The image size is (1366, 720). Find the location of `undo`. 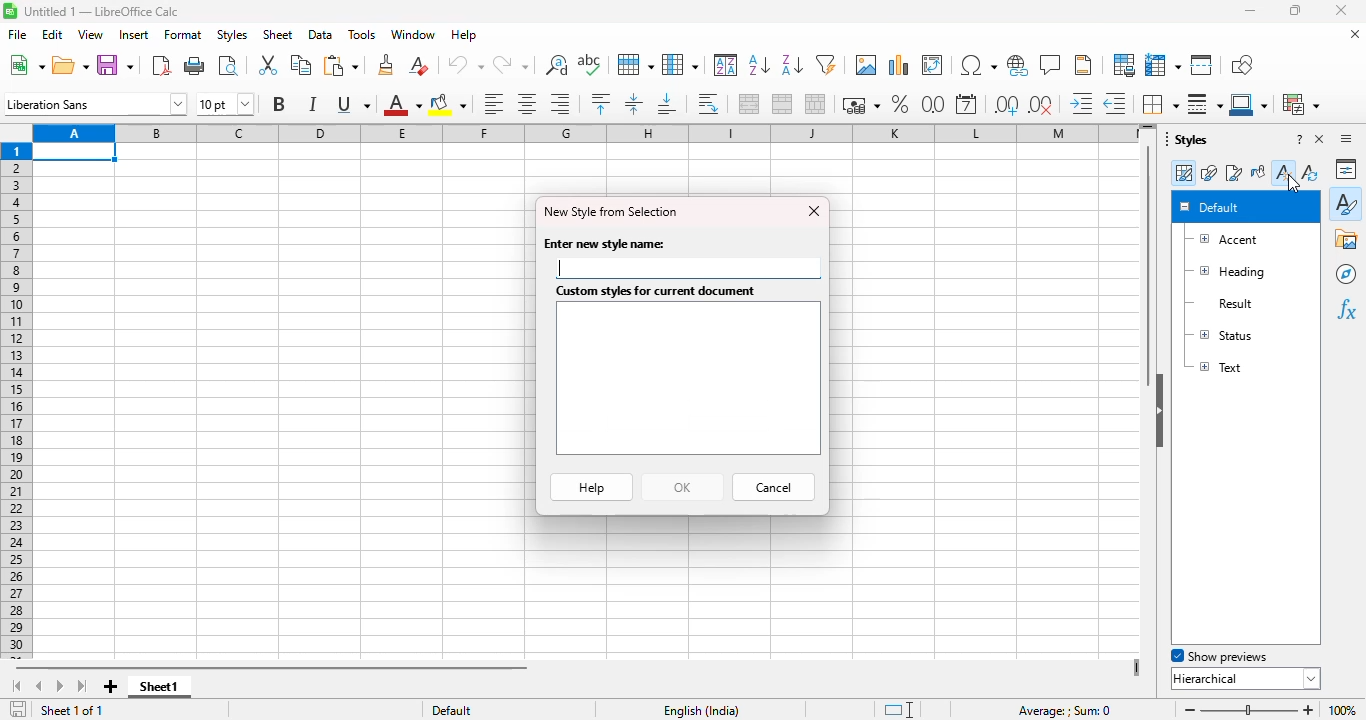

undo is located at coordinates (465, 65).